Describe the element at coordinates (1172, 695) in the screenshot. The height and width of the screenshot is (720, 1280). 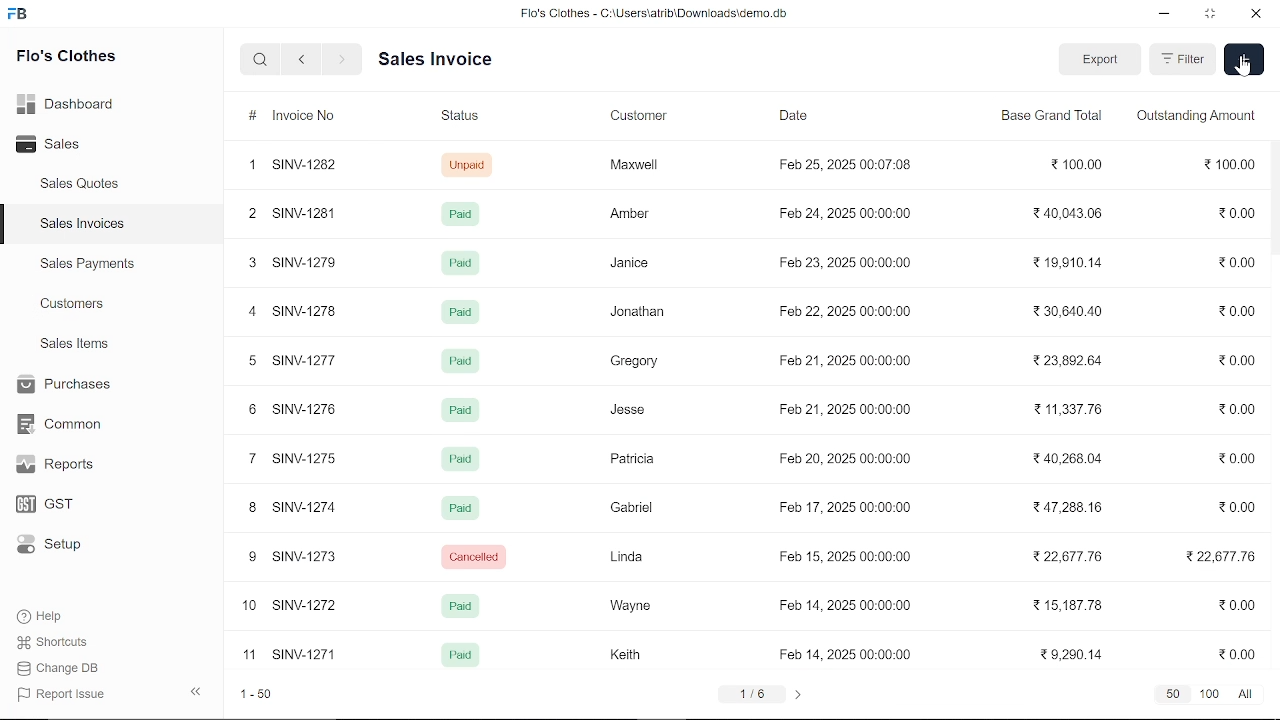
I see `50` at that location.